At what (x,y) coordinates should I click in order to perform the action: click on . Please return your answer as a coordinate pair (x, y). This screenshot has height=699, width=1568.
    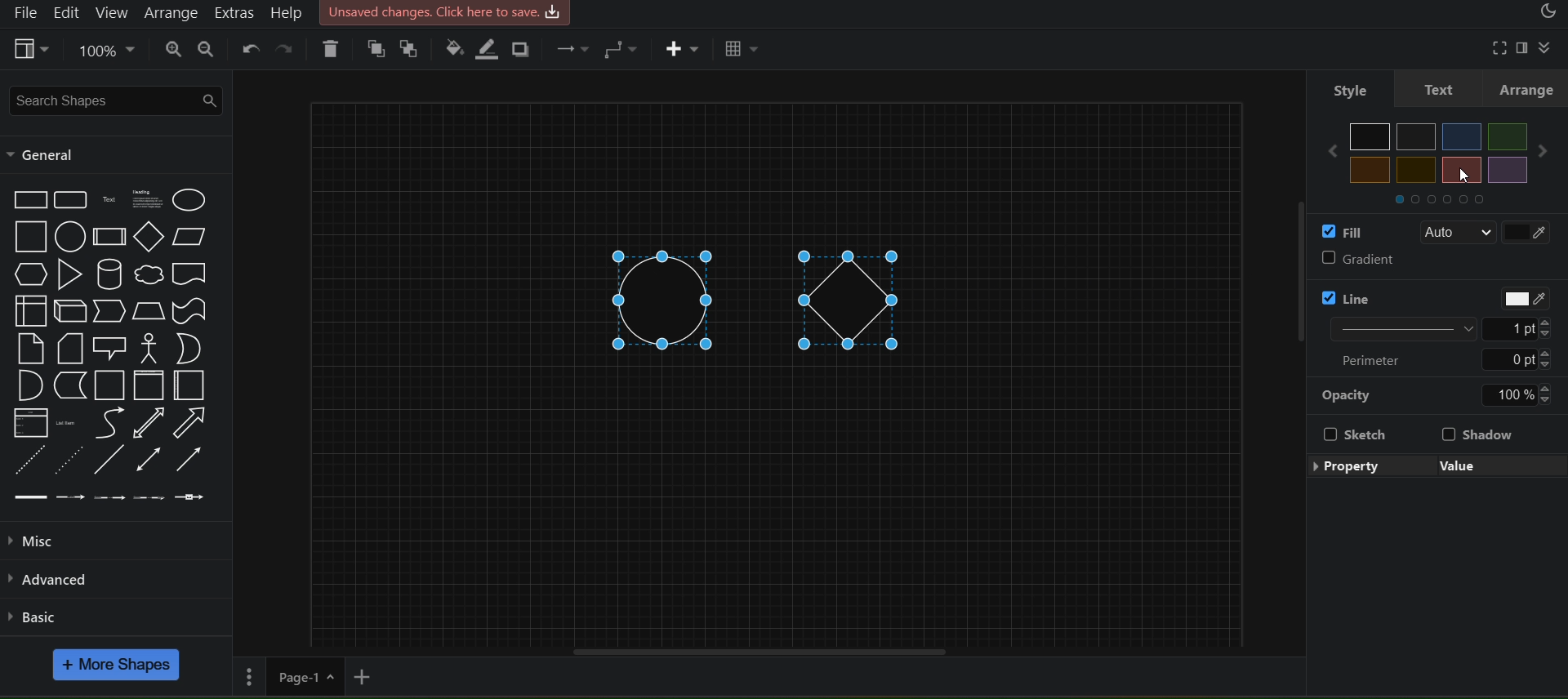
    Looking at the image, I should click on (1511, 170).